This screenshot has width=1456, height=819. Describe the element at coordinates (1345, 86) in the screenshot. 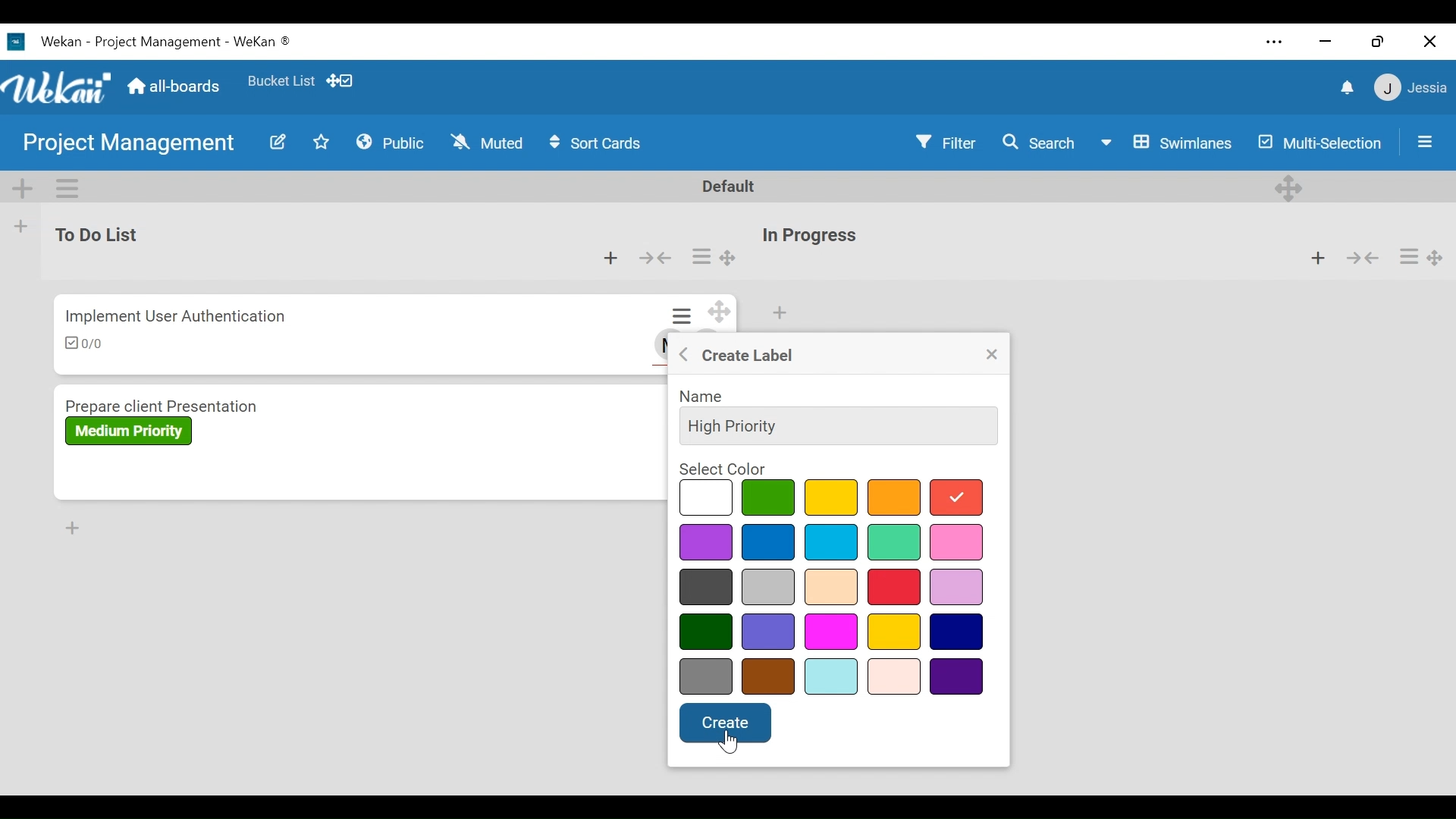

I see `notifications` at that location.